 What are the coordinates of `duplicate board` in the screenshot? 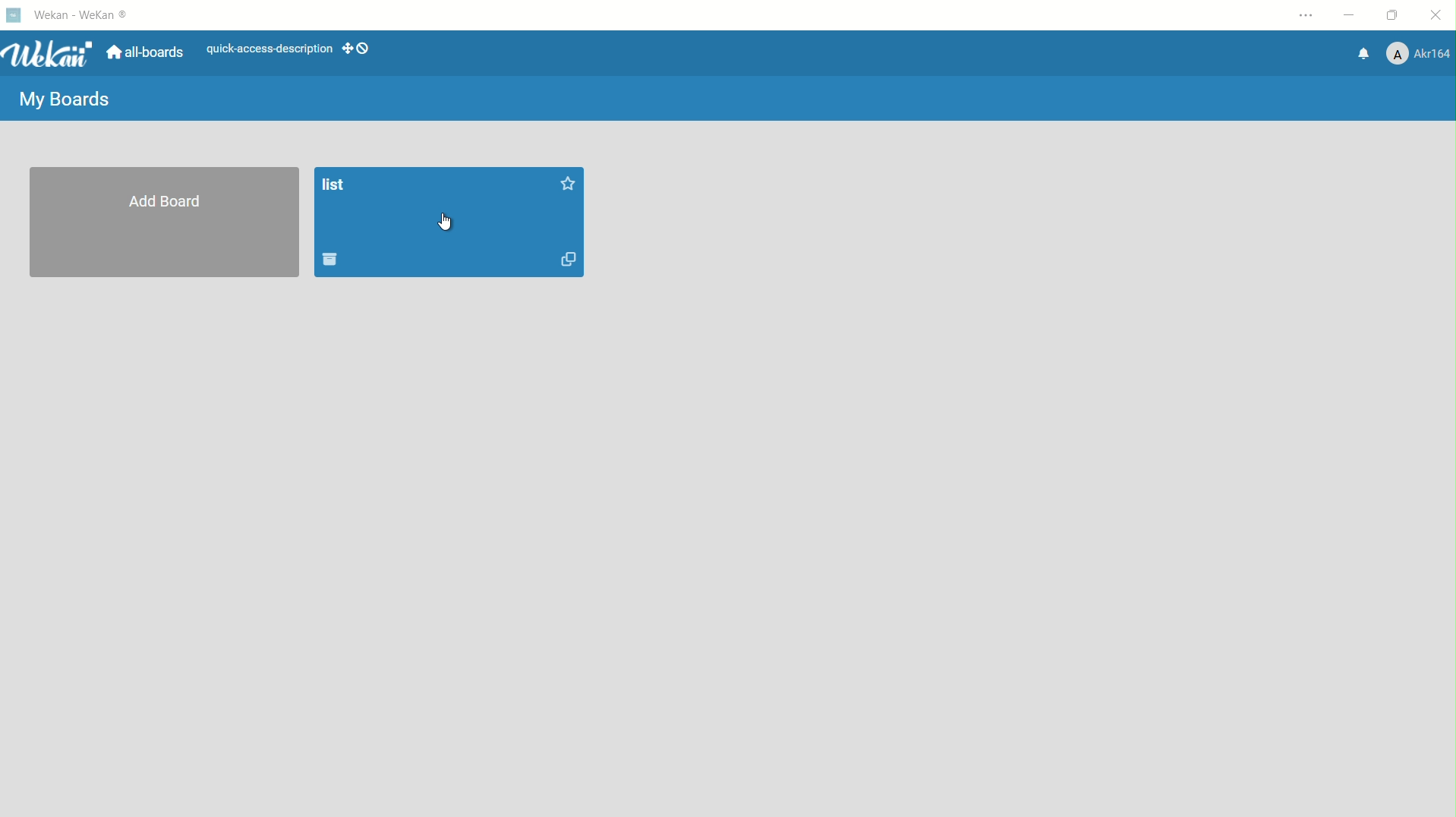 It's located at (569, 261).